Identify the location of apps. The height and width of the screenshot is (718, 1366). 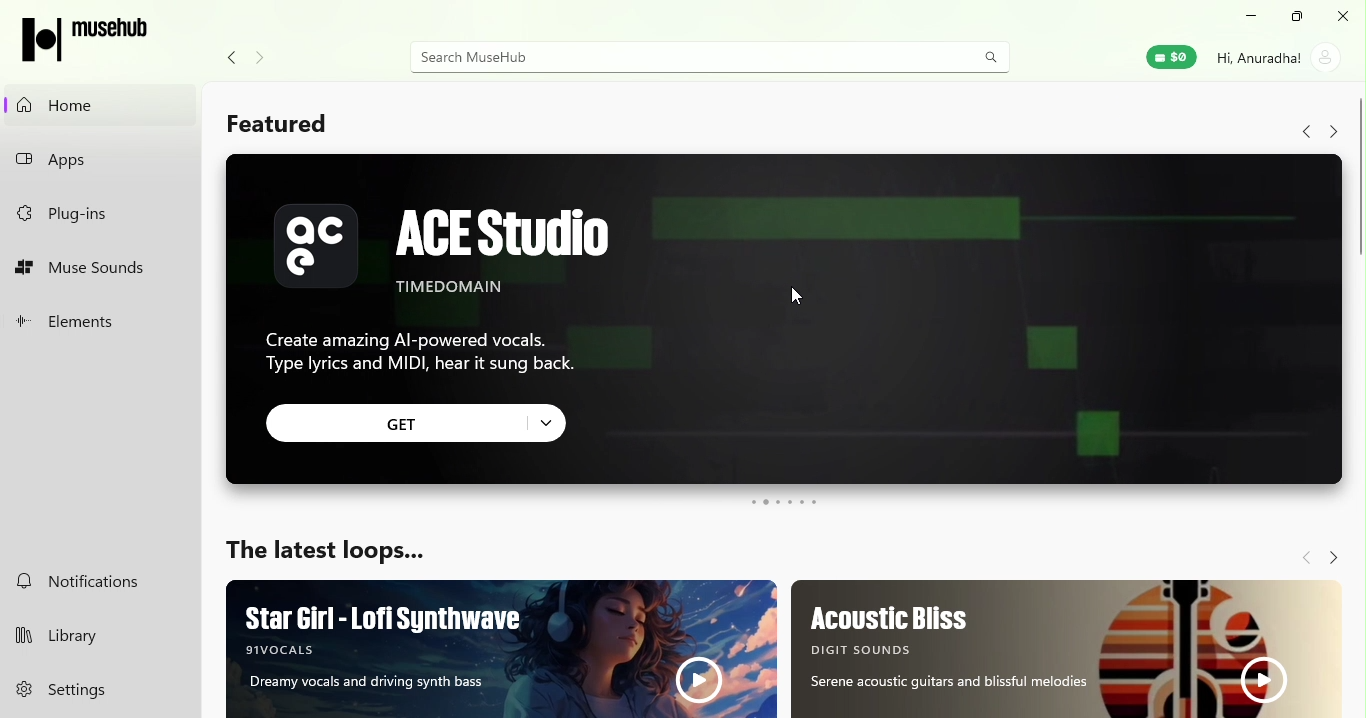
(102, 158).